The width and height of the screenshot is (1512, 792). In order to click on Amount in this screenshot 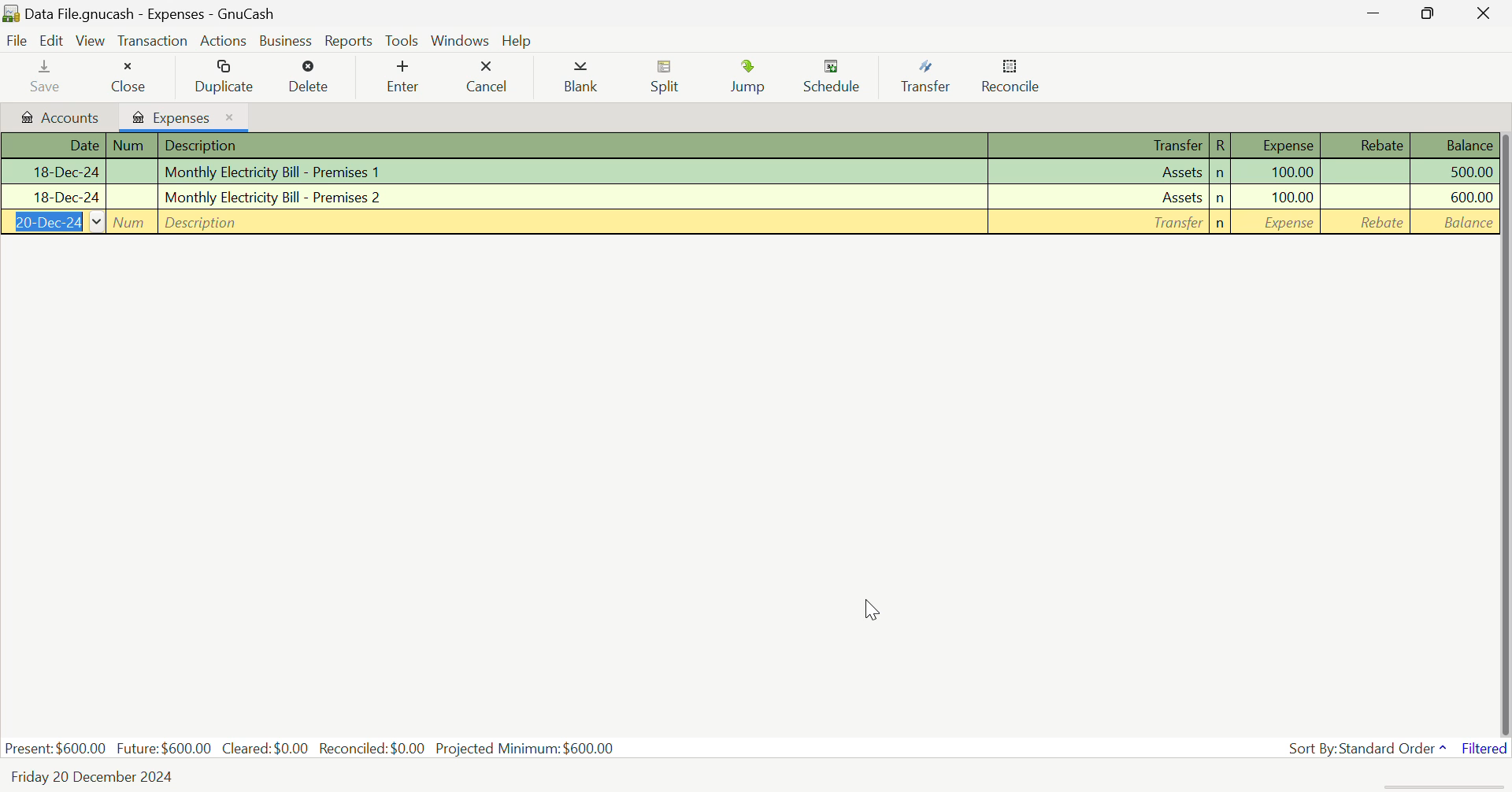, I will do `click(1291, 171)`.